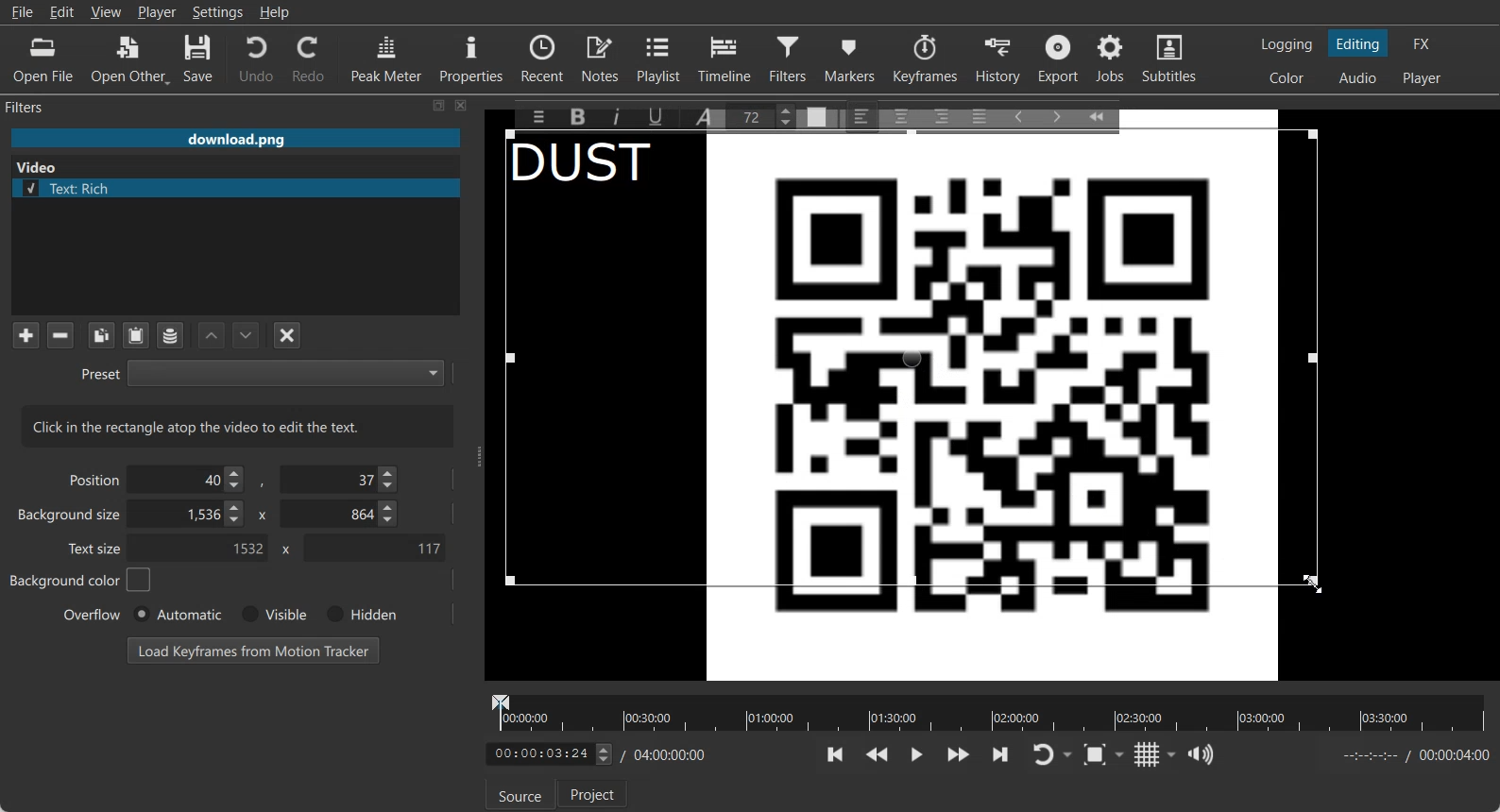 This screenshot has width=1500, height=812. What do you see at coordinates (374, 547) in the screenshot?
I see `Text Size Y- Coordinate` at bounding box center [374, 547].